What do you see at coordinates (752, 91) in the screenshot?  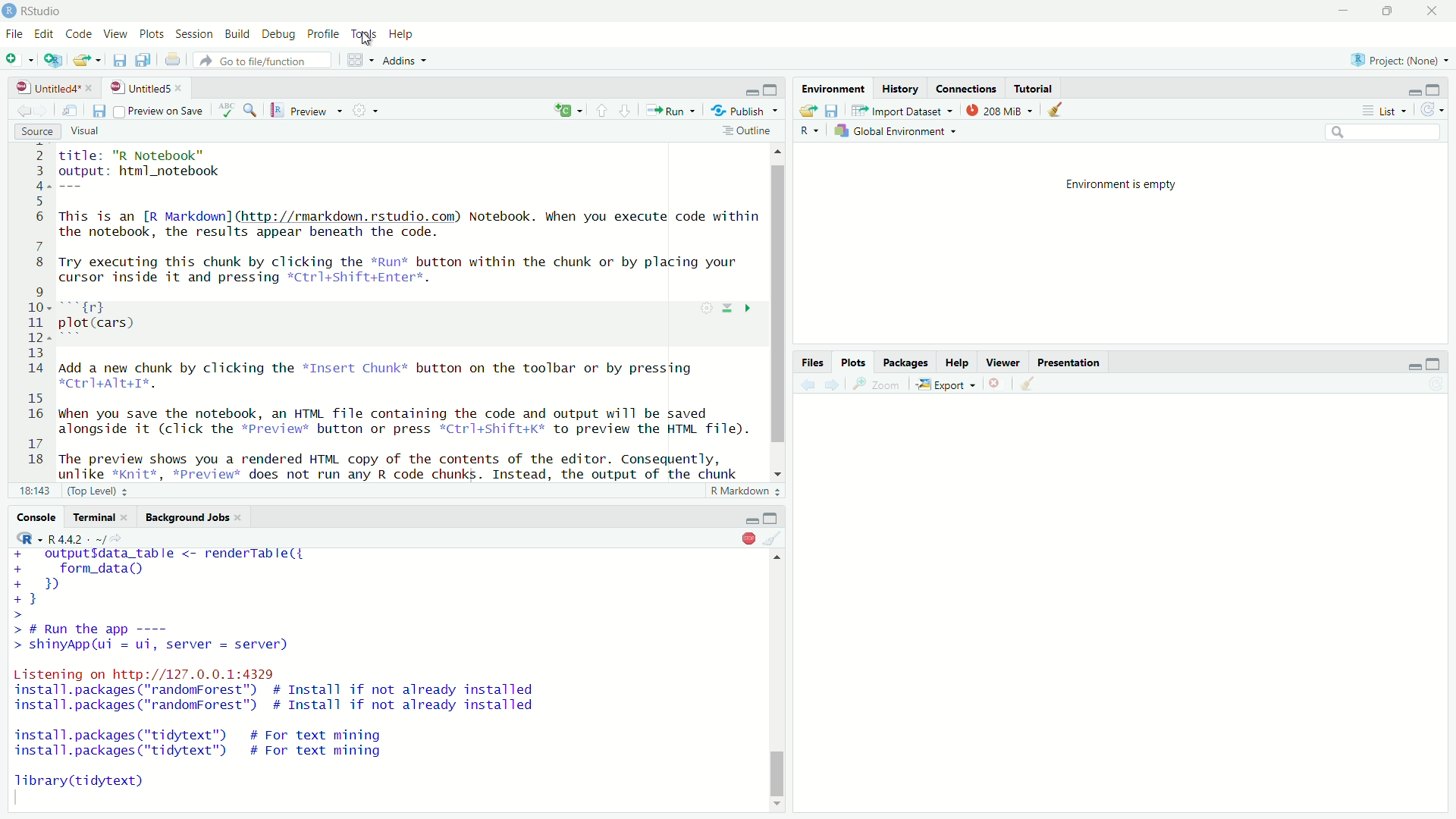 I see `minimize` at bounding box center [752, 91].